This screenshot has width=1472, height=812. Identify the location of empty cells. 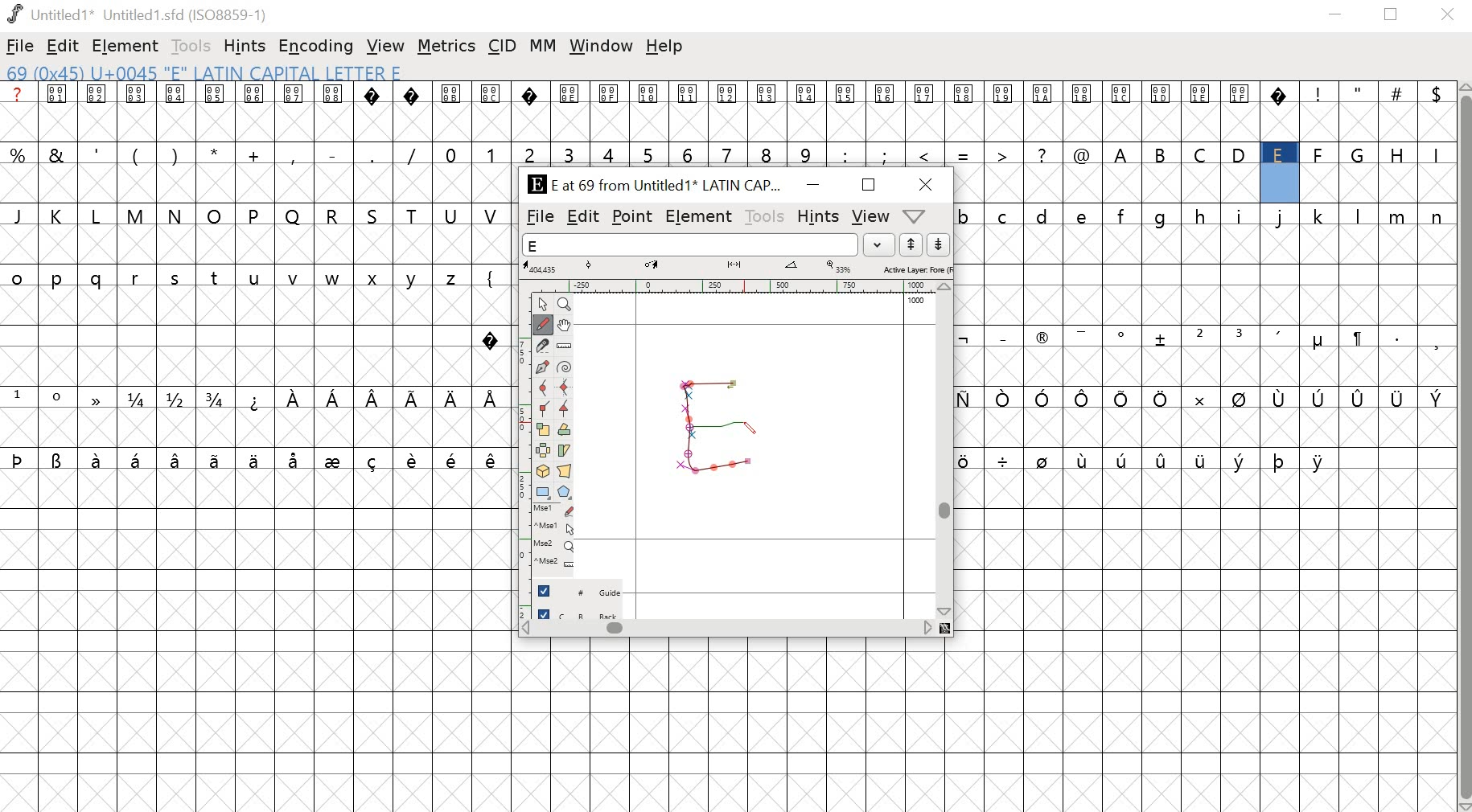
(254, 184).